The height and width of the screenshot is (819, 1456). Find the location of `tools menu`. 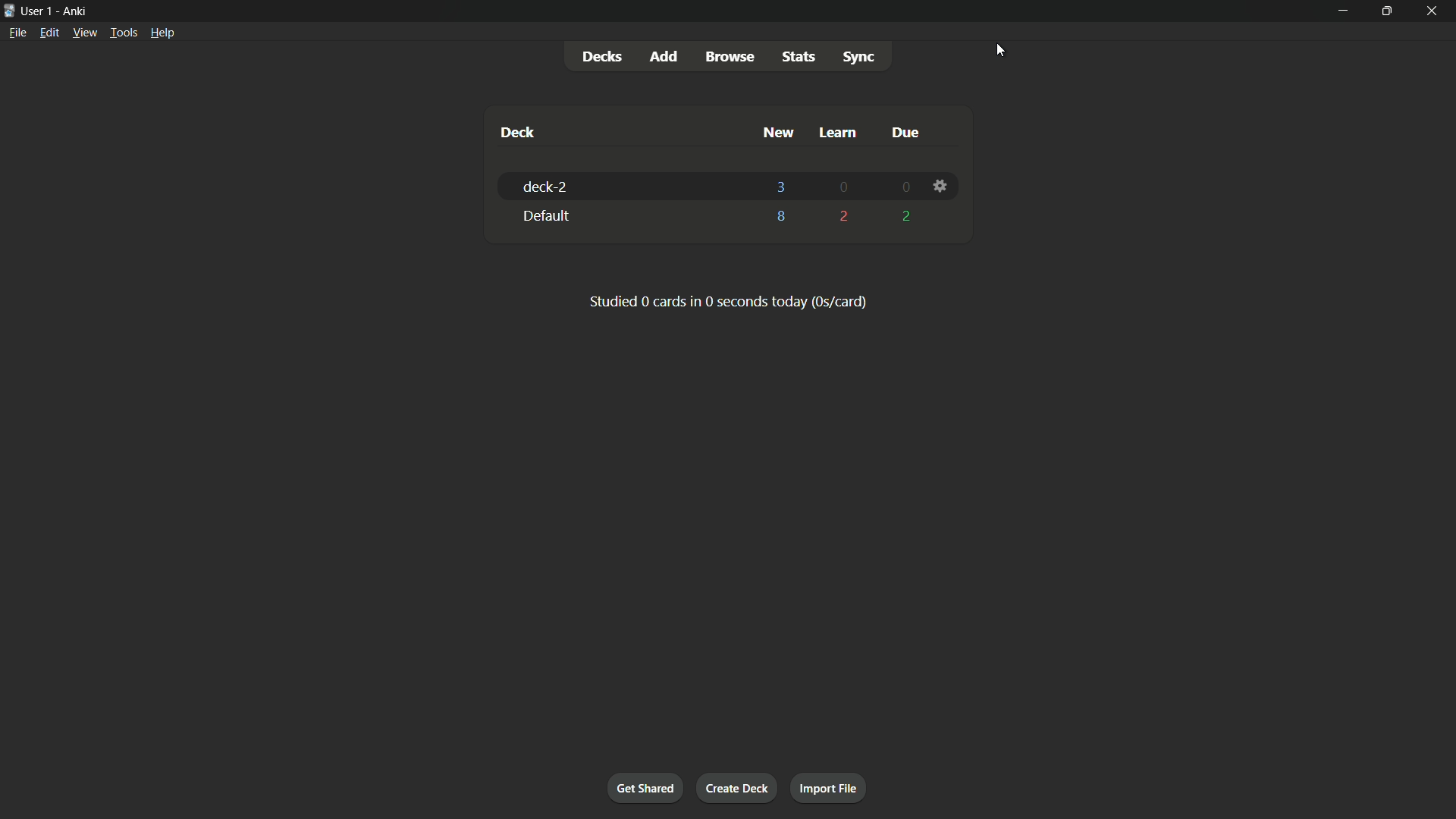

tools menu is located at coordinates (124, 33).